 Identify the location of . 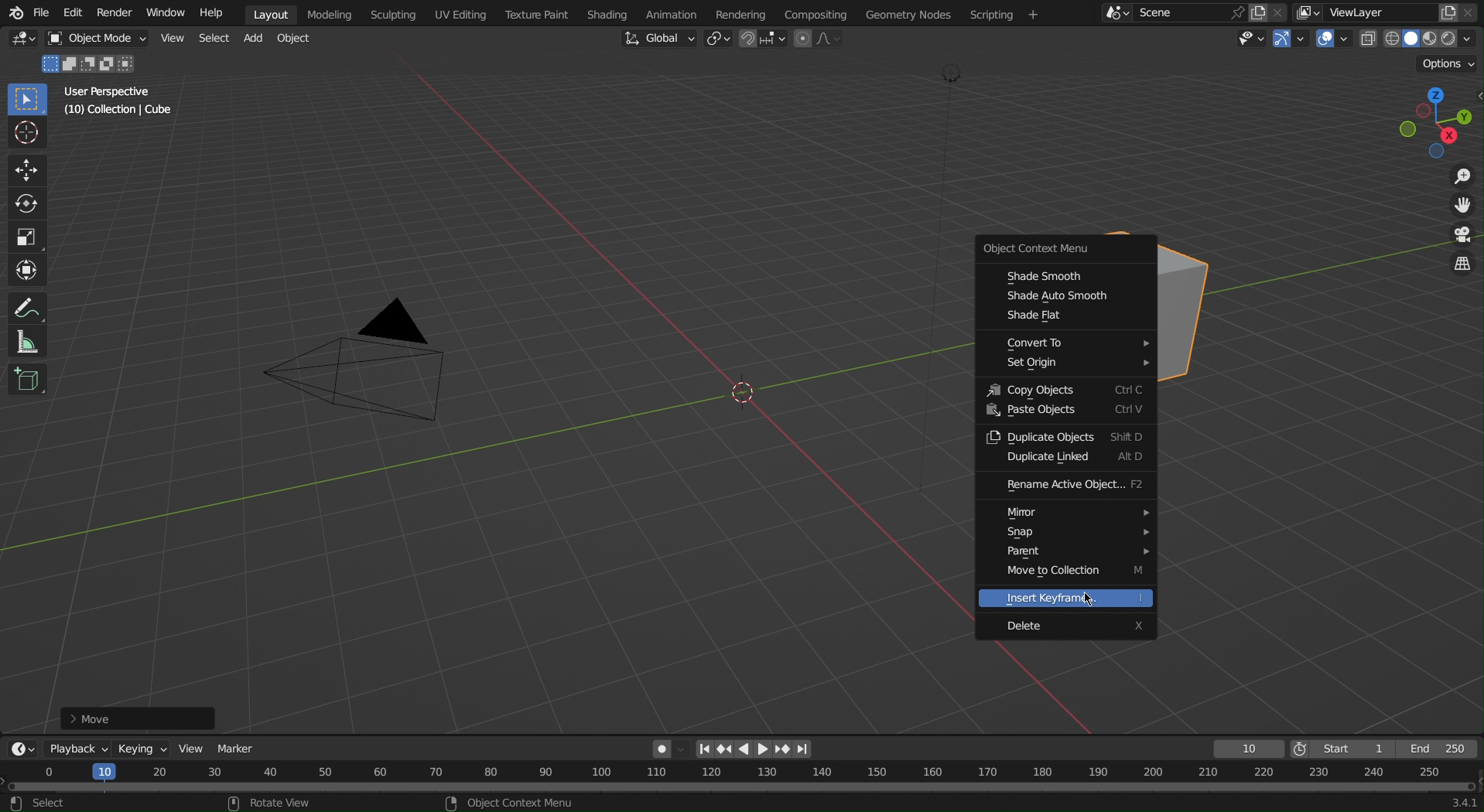
(1007, 15).